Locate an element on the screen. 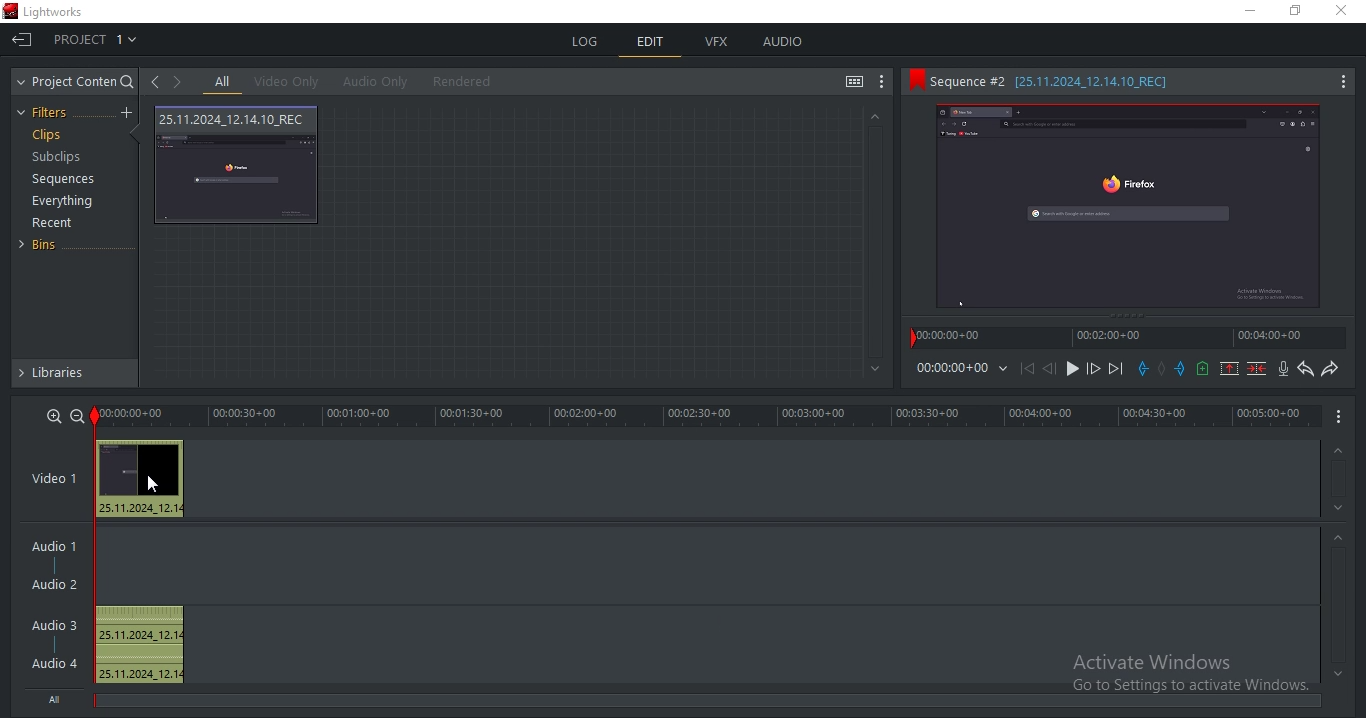 Image resolution: width=1366 pixels, height=718 pixels. audio only is located at coordinates (377, 81).